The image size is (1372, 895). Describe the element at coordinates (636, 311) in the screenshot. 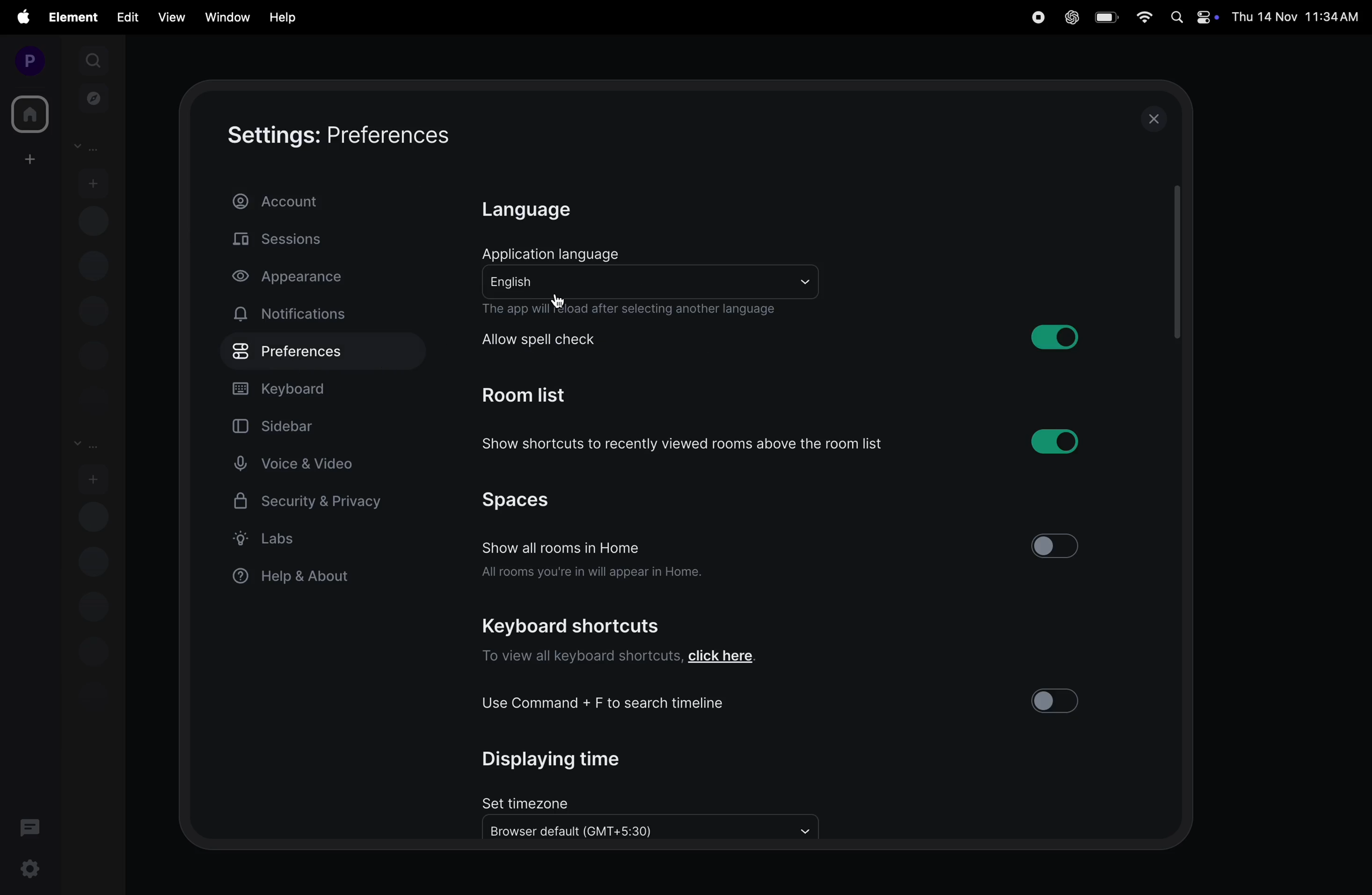

I see `the app will relaod after the change` at that location.